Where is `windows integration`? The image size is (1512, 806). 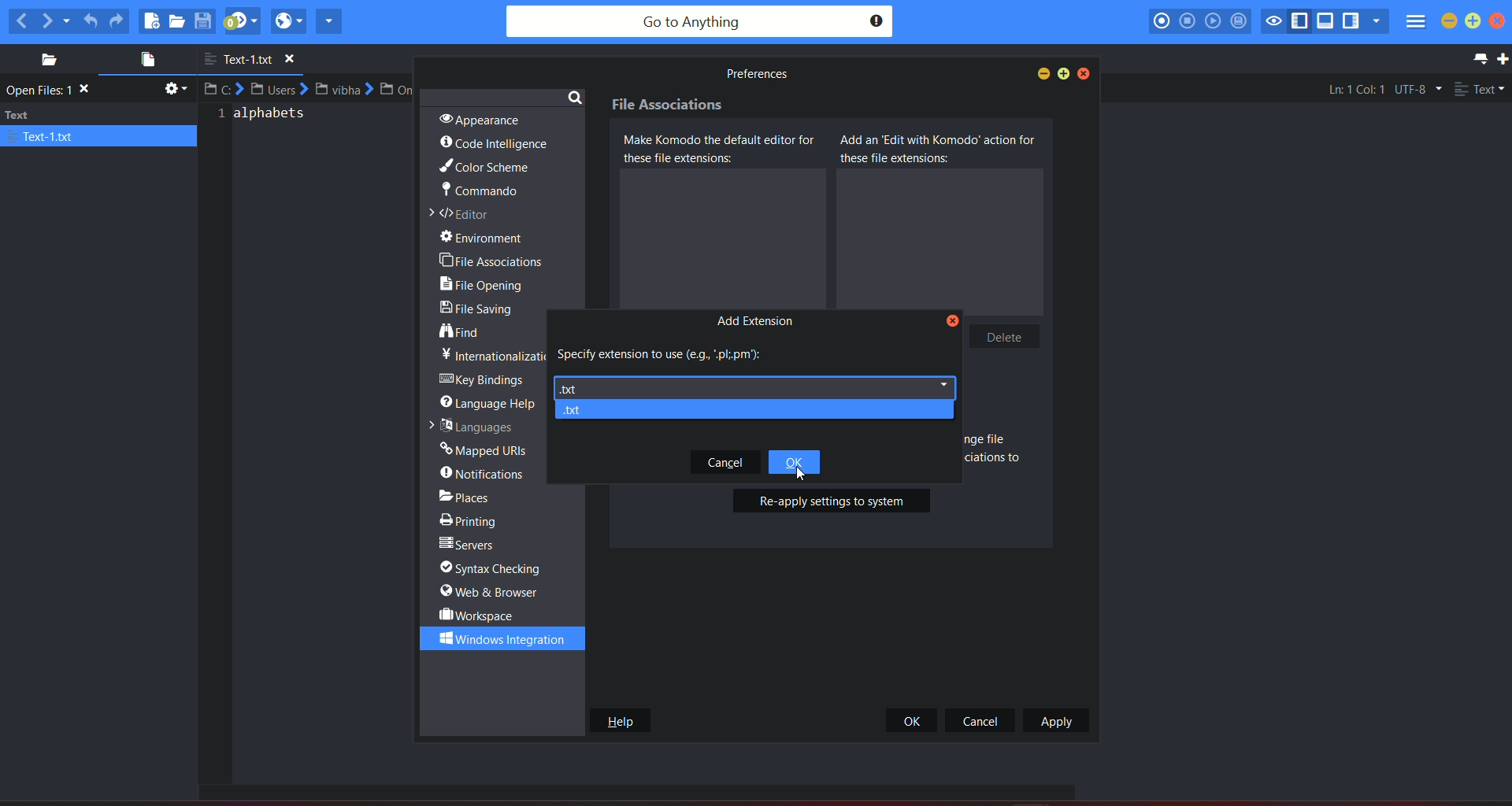 windows integration is located at coordinates (495, 638).